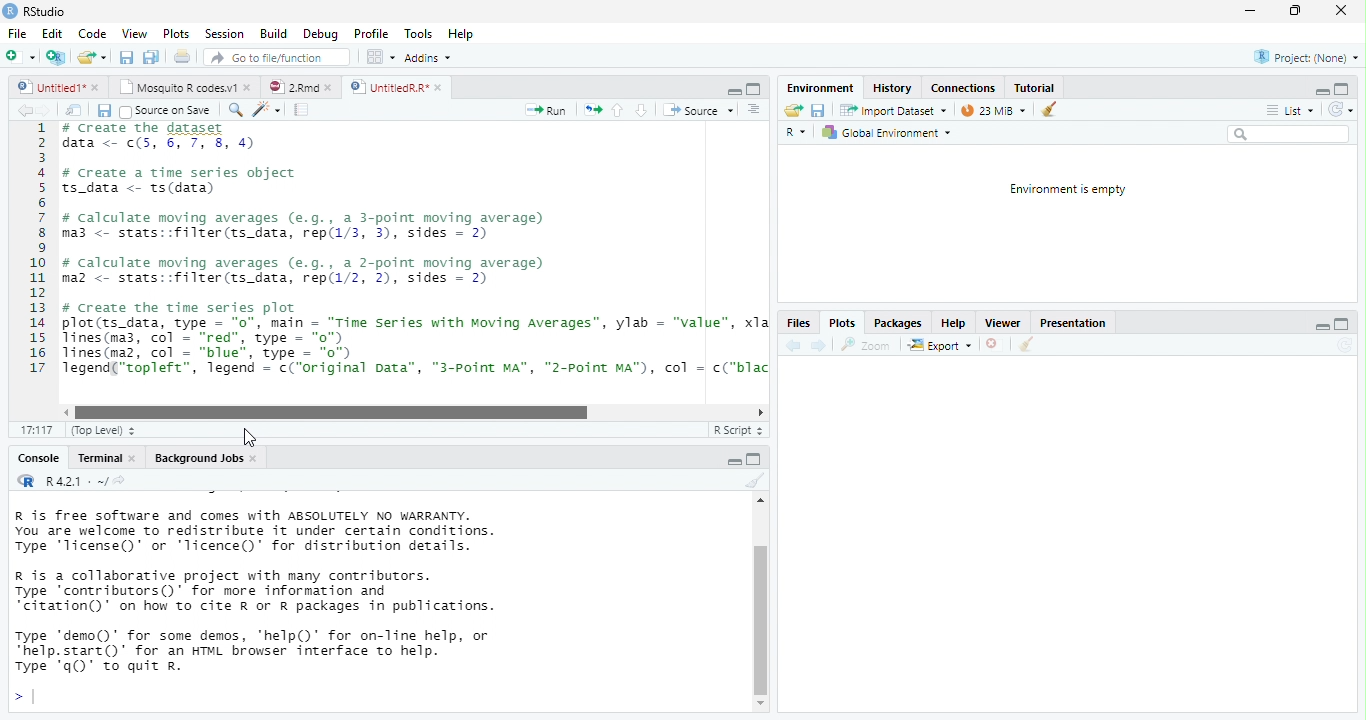  What do you see at coordinates (1323, 329) in the screenshot?
I see `minimize` at bounding box center [1323, 329].